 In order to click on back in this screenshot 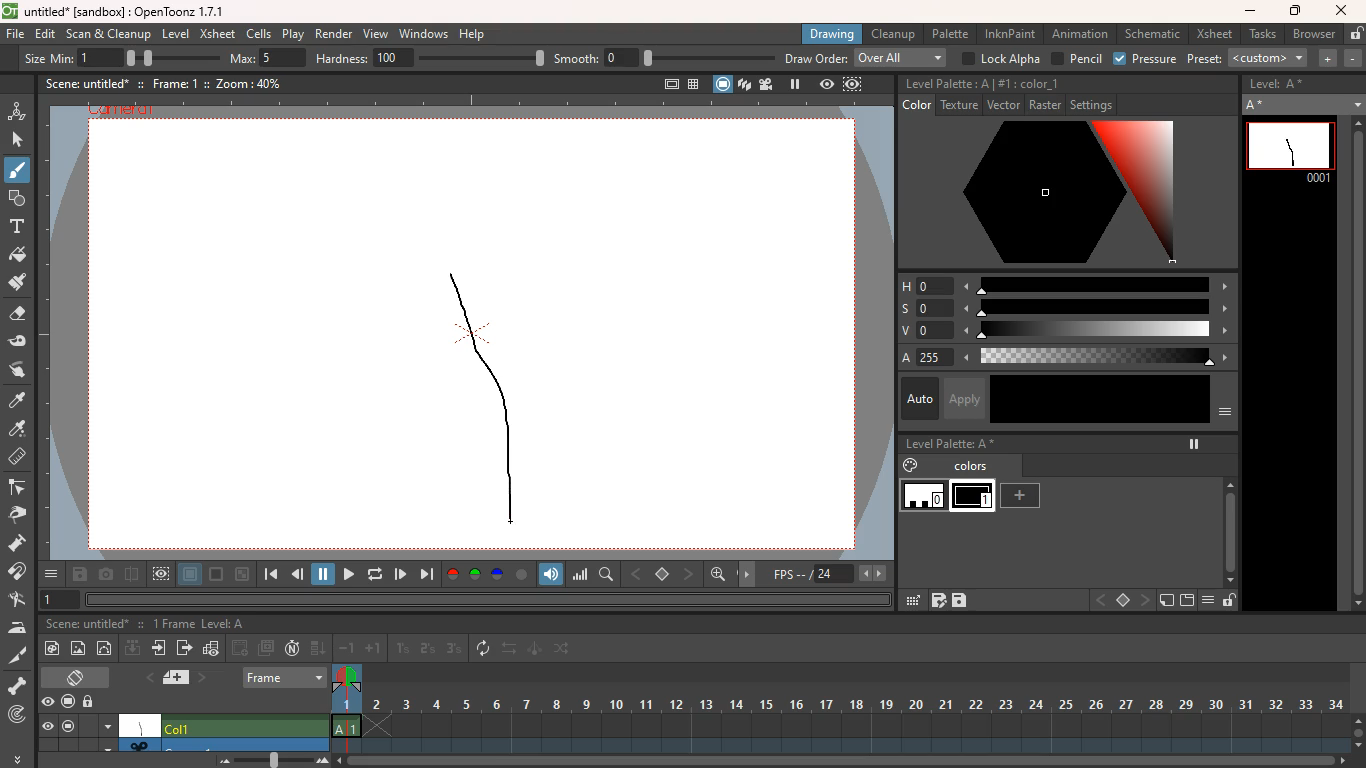, I will do `click(638, 572)`.